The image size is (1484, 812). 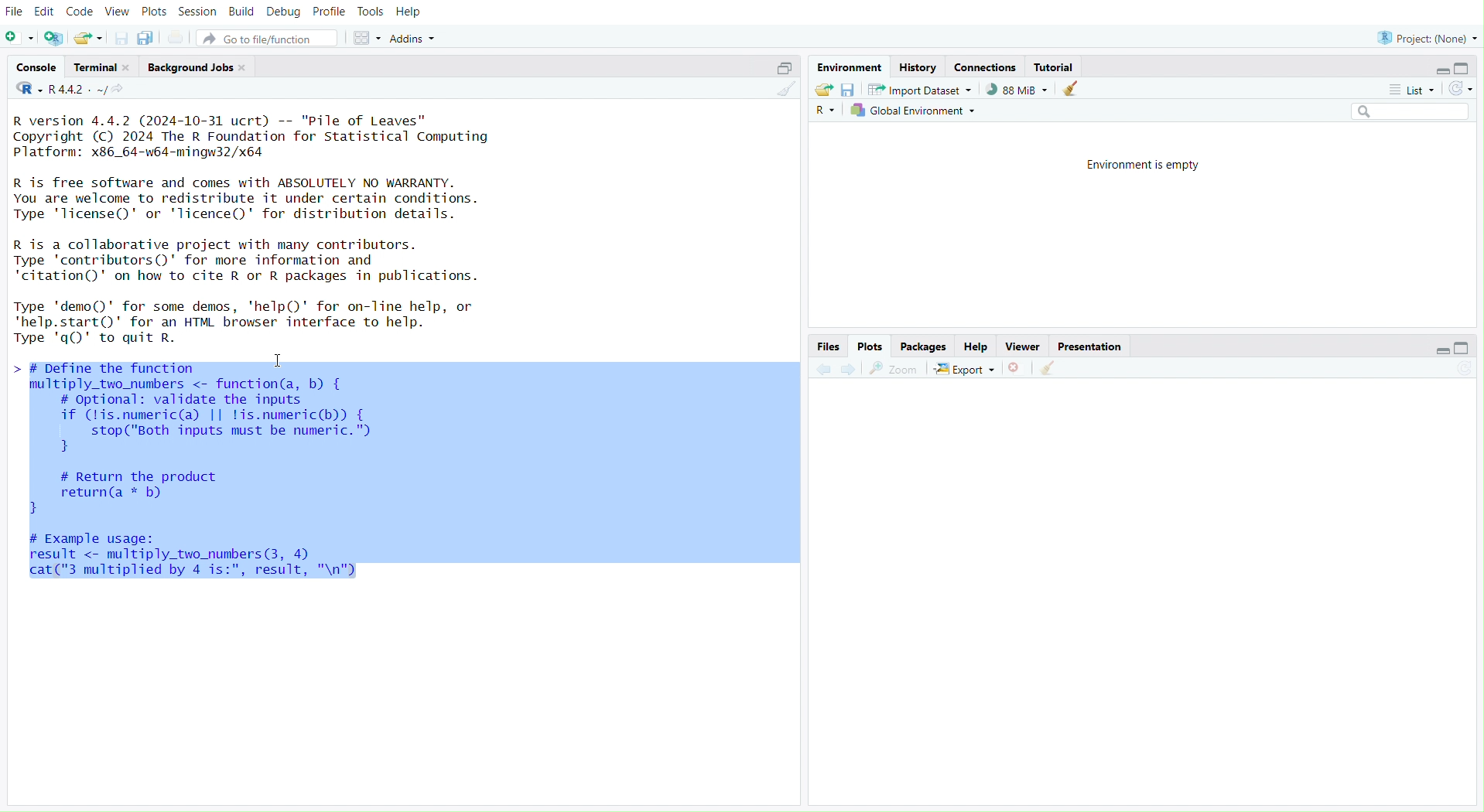 What do you see at coordinates (19, 37) in the screenshot?
I see `New file` at bounding box center [19, 37].